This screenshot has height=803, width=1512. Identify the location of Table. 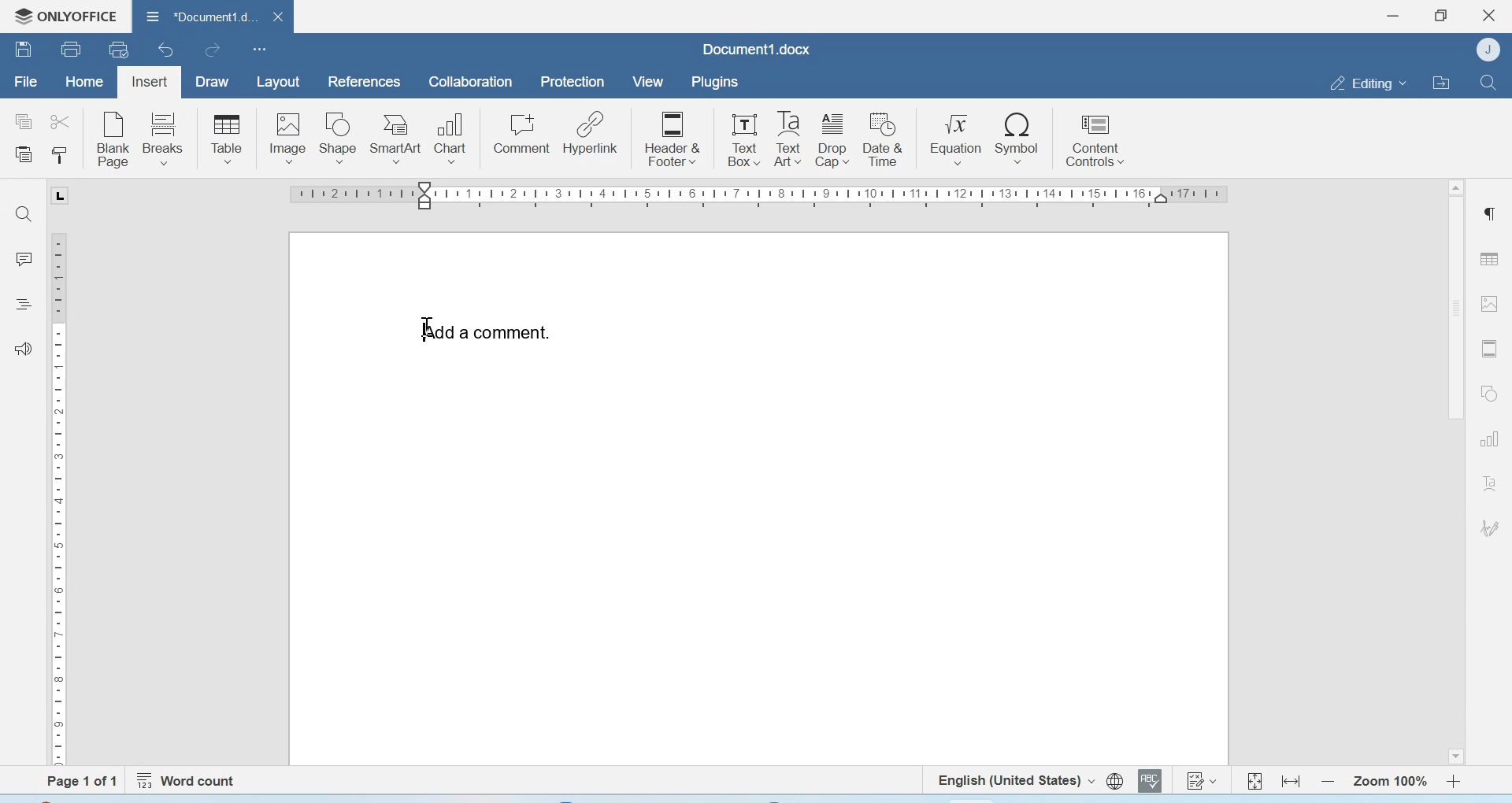
(227, 139).